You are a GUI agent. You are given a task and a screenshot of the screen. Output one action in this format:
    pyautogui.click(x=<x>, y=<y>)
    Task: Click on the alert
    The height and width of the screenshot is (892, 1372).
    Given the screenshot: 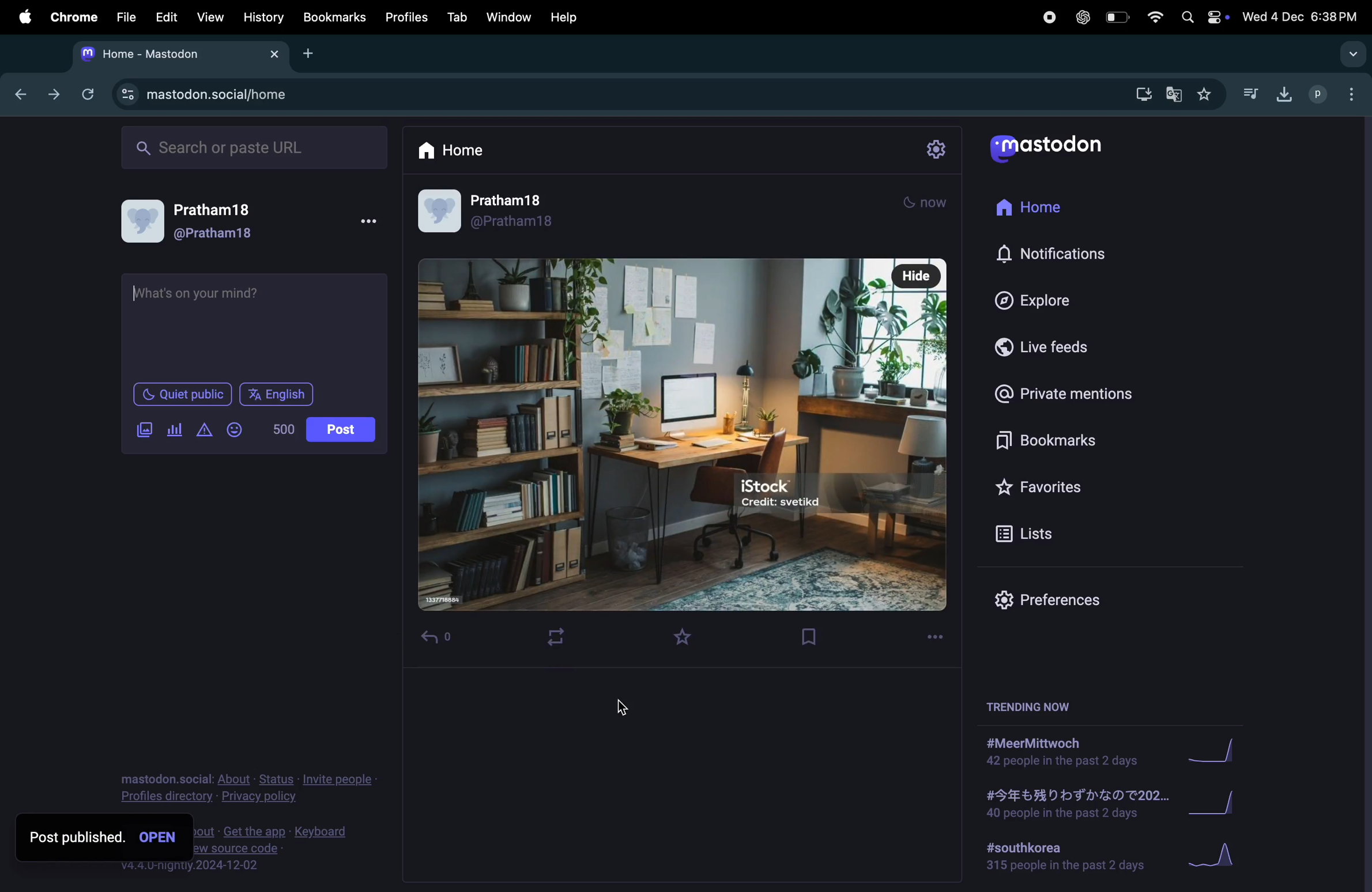 What is the action you would take?
    pyautogui.click(x=203, y=429)
    